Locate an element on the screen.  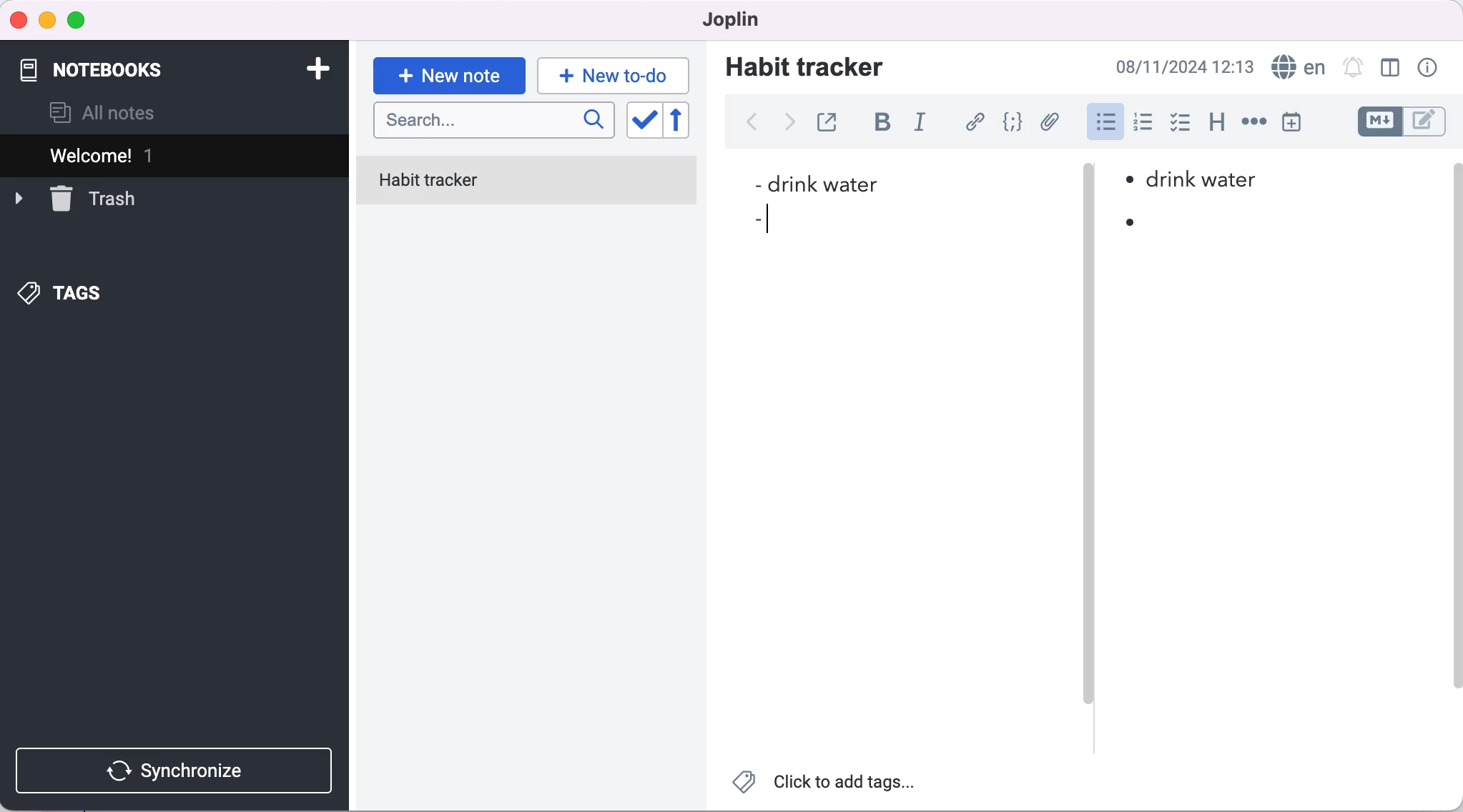
scroll bar is located at coordinates (1454, 442).